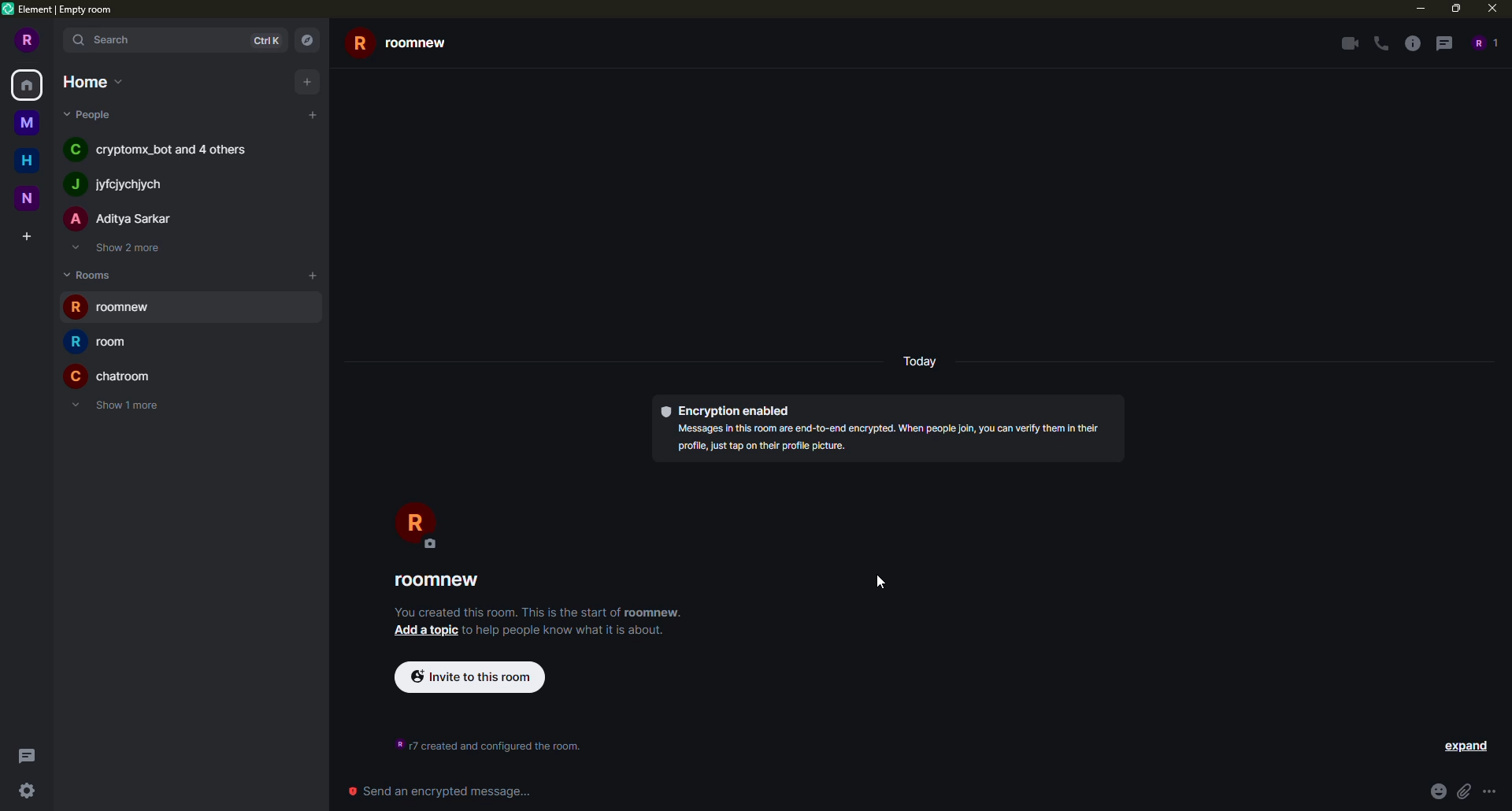 The width and height of the screenshot is (1512, 811). I want to click on add, so click(312, 114).